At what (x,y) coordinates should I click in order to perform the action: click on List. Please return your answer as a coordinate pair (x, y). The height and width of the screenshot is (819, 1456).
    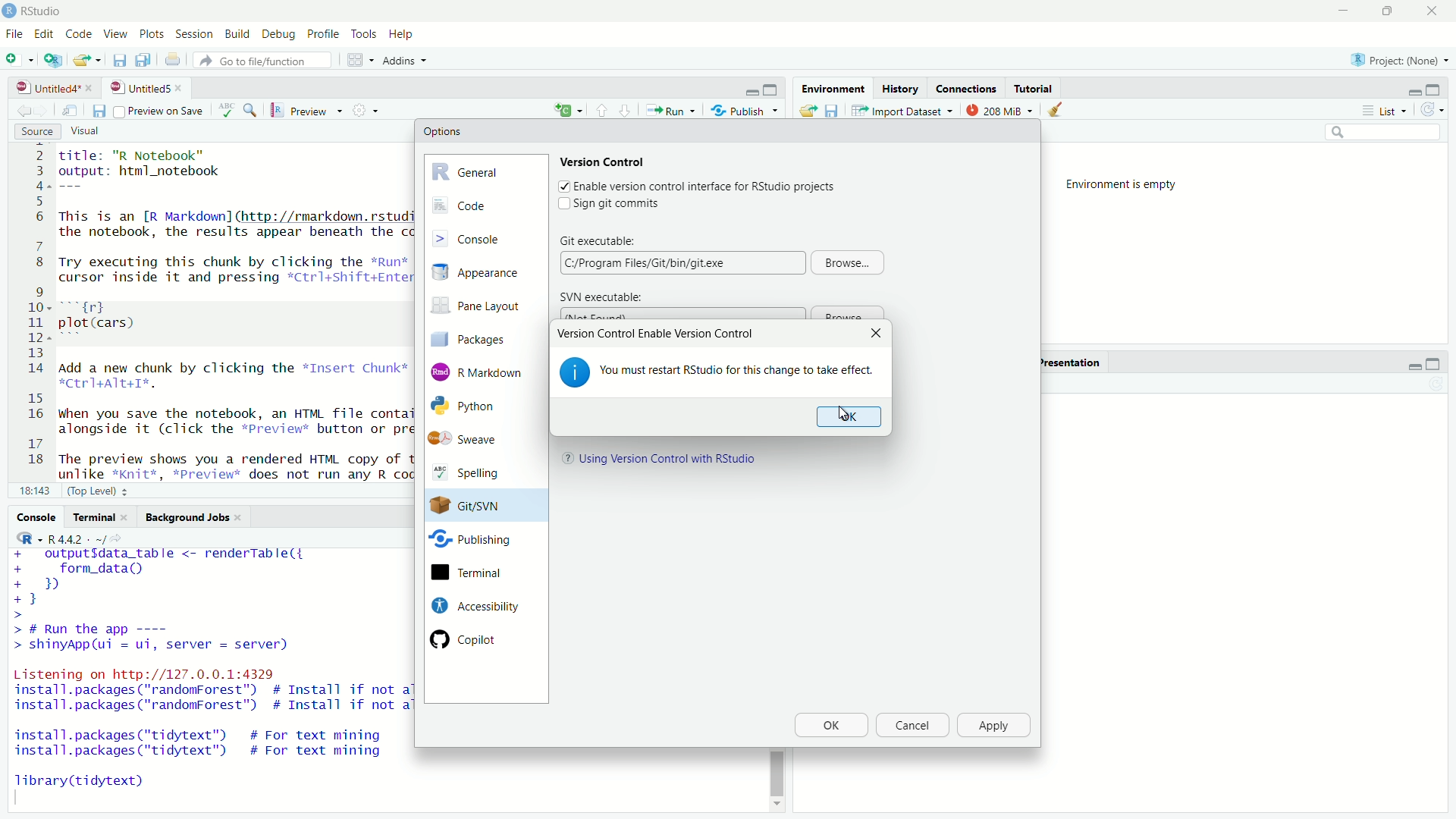
    Looking at the image, I should click on (1389, 111).